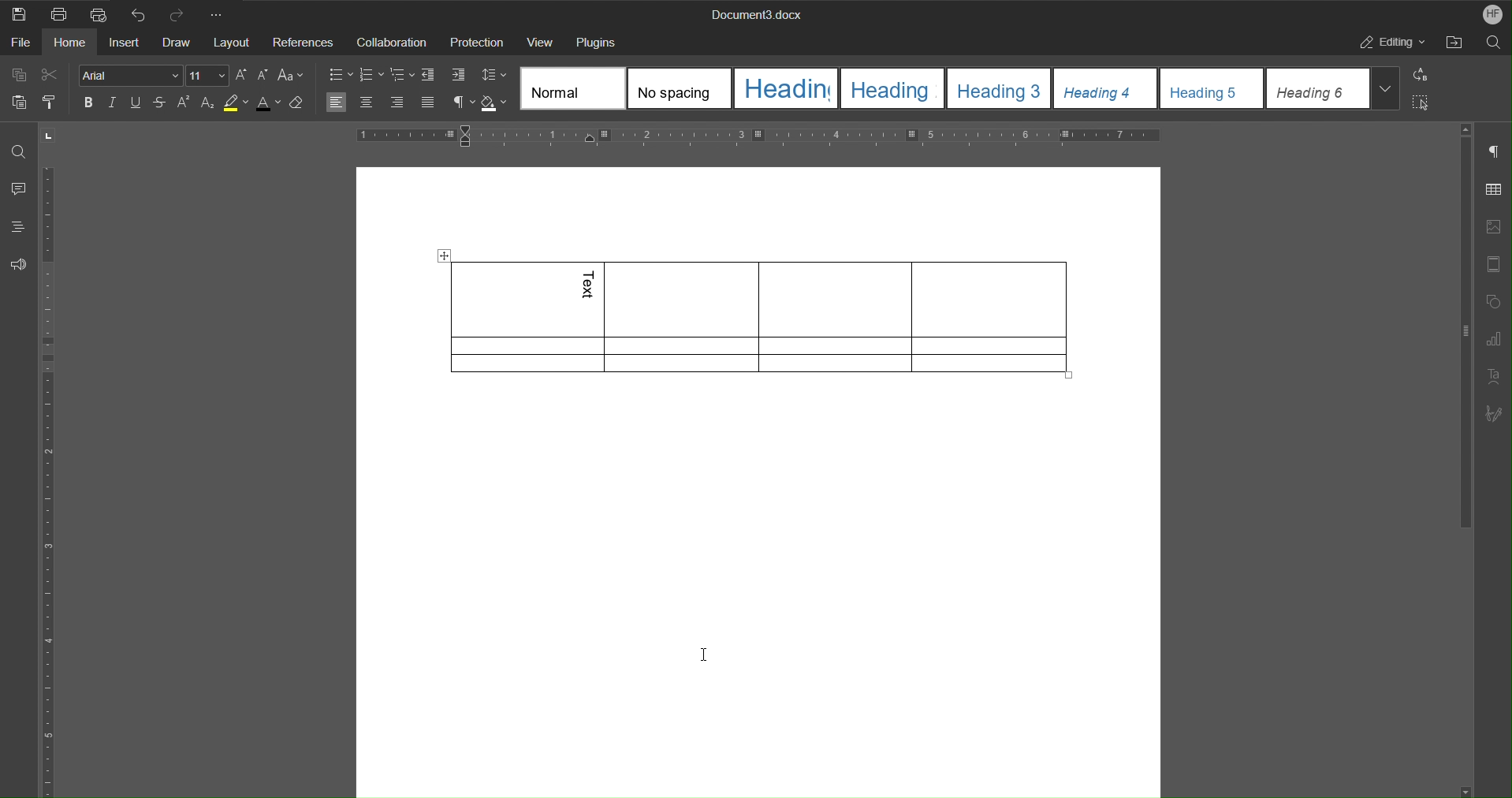 The image size is (1512, 798). Describe the element at coordinates (132, 76) in the screenshot. I see `Font Style` at that location.